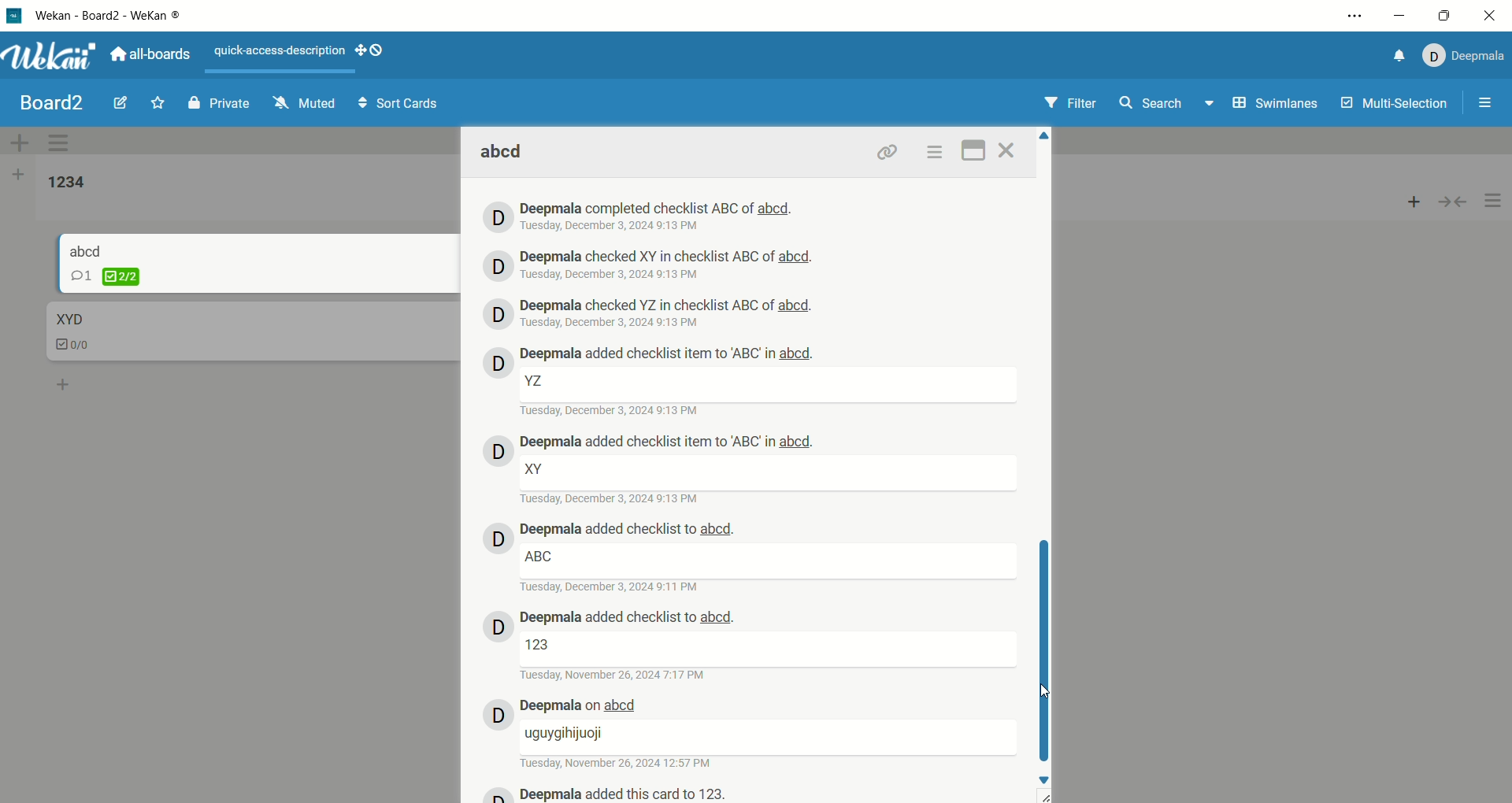 The height and width of the screenshot is (803, 1512). What do you see at coordinates (498, 216) in the screenshot?
I see `avatar` at bounding box center [498, 216].